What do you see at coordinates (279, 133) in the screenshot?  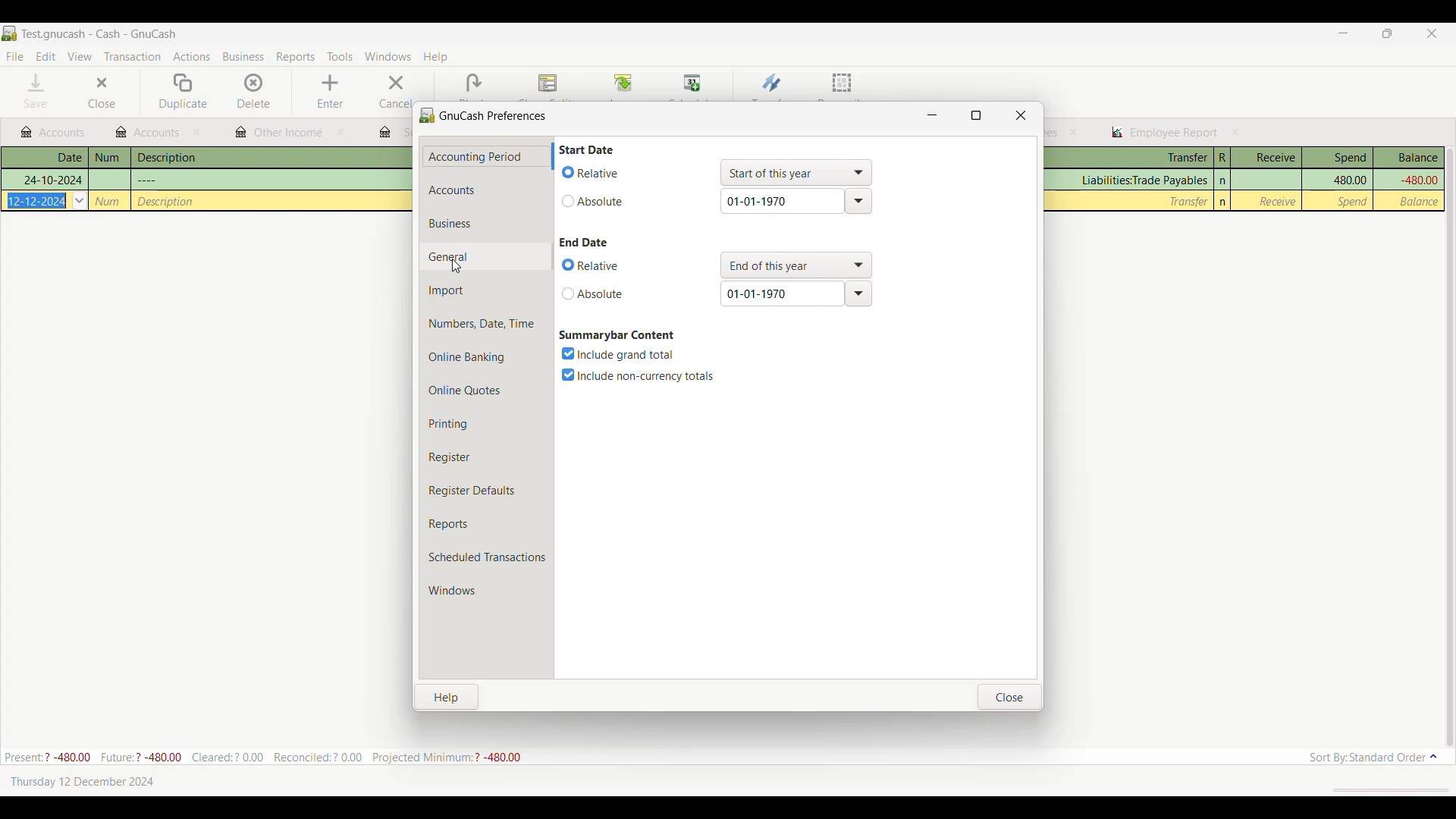 I see `Other budgets and reports` at bounding box center [279, 133].